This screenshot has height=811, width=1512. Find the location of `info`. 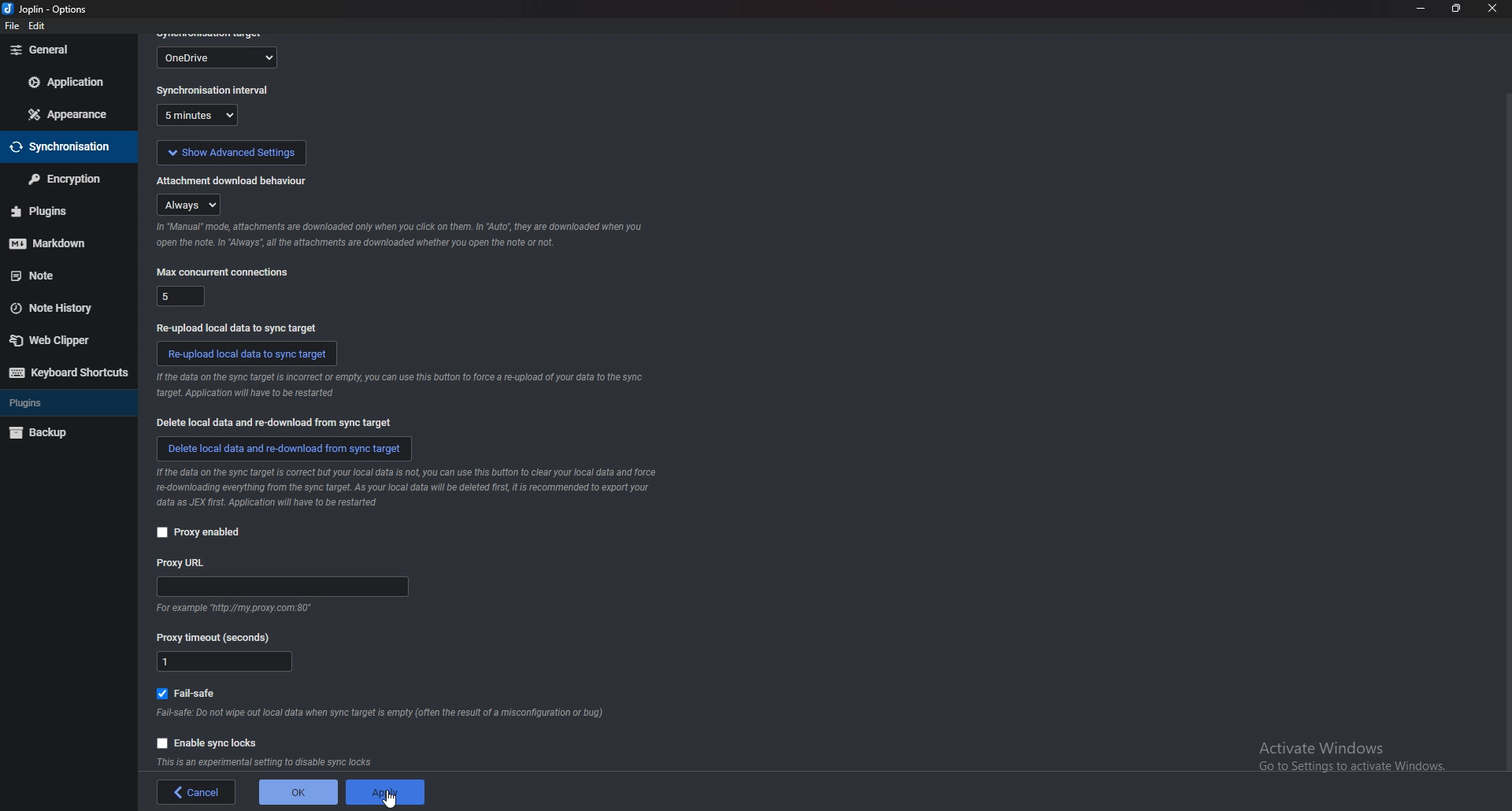

info is located at coordinates (397, 387).